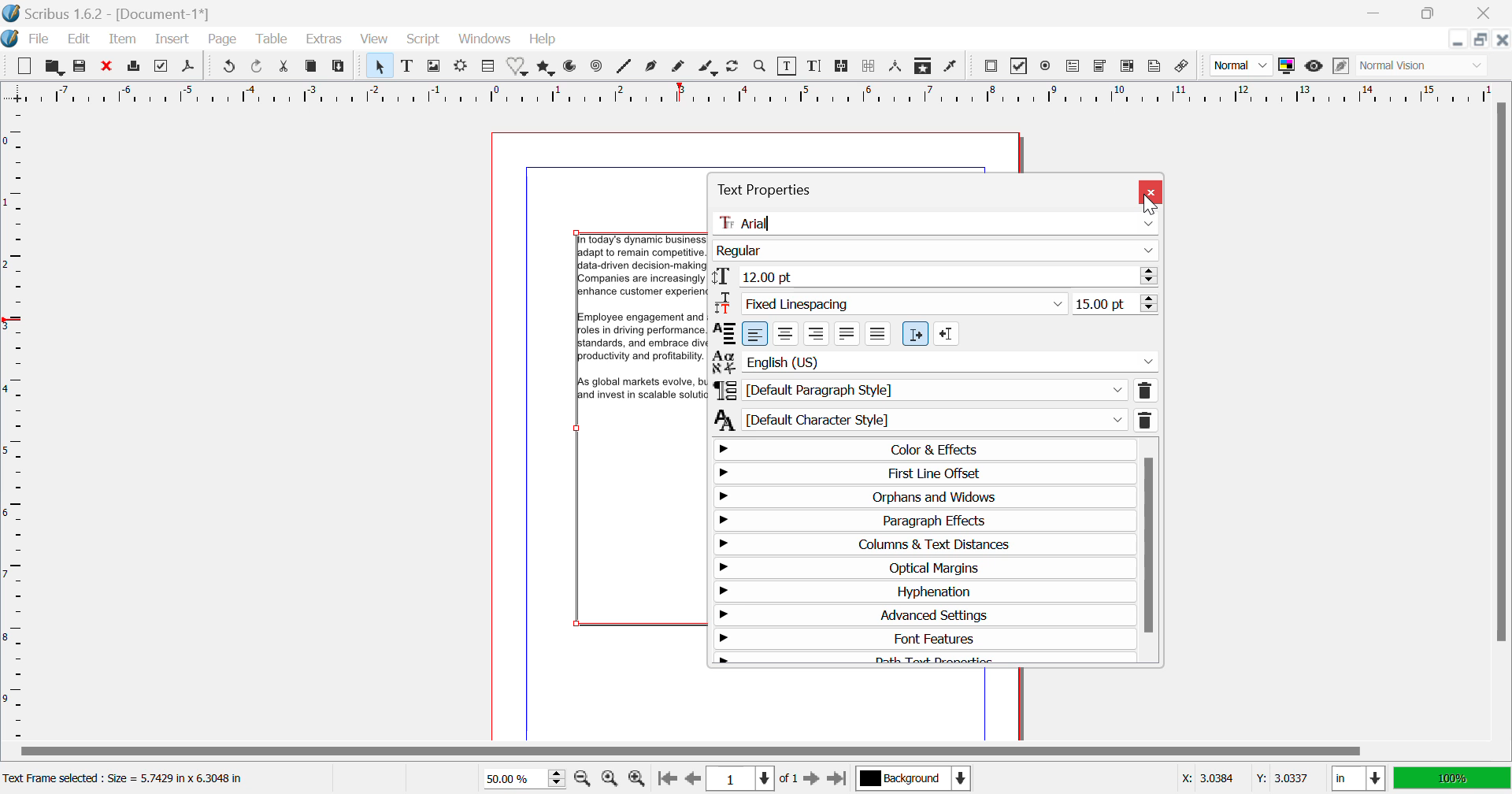 The width and height of the screenshot is (1512, 794). Describe the element at coordinates (787, 187) in the screenshot. I see `Text Properties` at that location.